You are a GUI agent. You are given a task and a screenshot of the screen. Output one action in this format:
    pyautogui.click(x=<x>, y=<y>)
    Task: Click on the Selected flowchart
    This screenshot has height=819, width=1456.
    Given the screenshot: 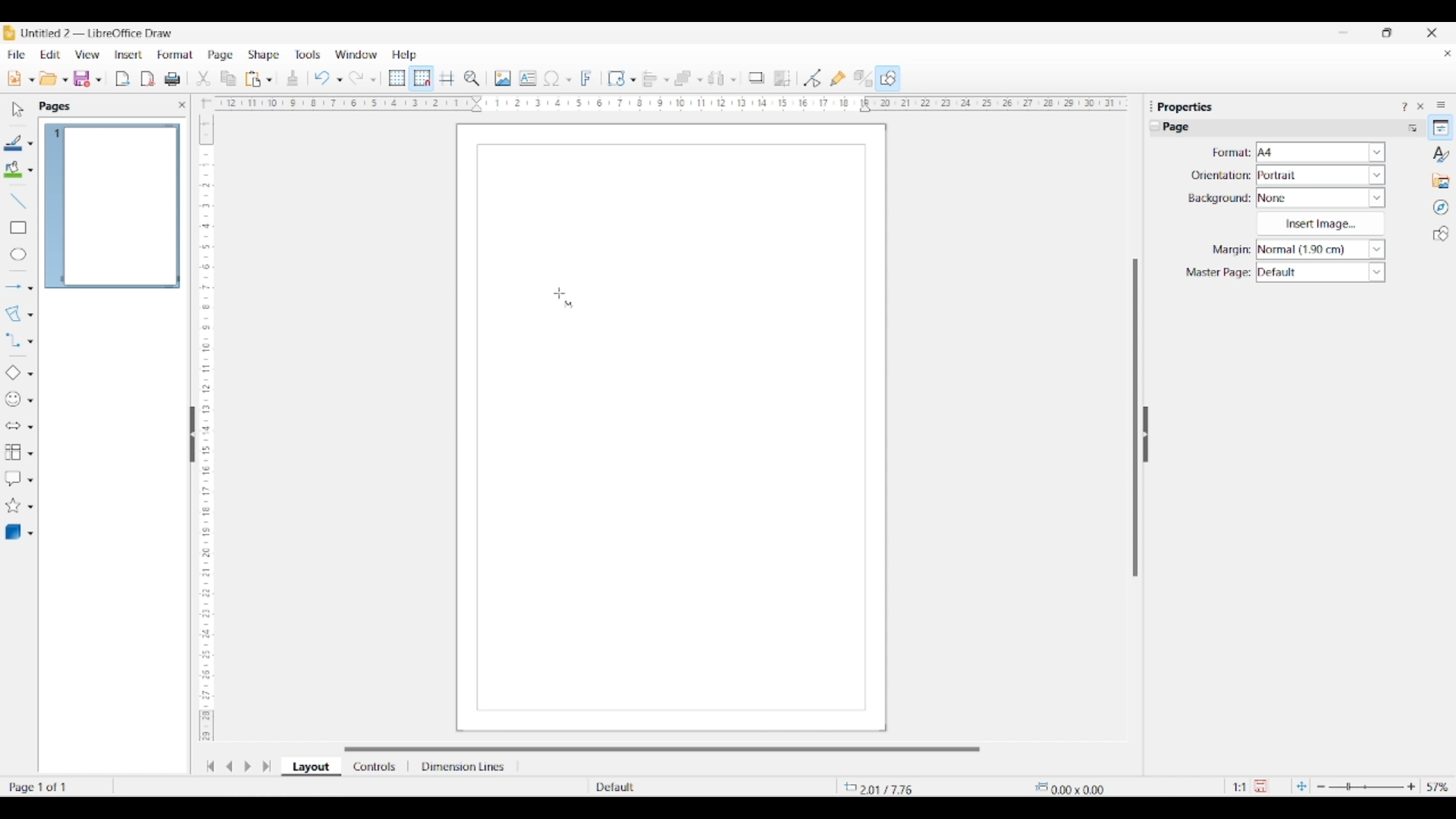 What is the action you would take?
    pyautogui.click(x=13, y=453)
    